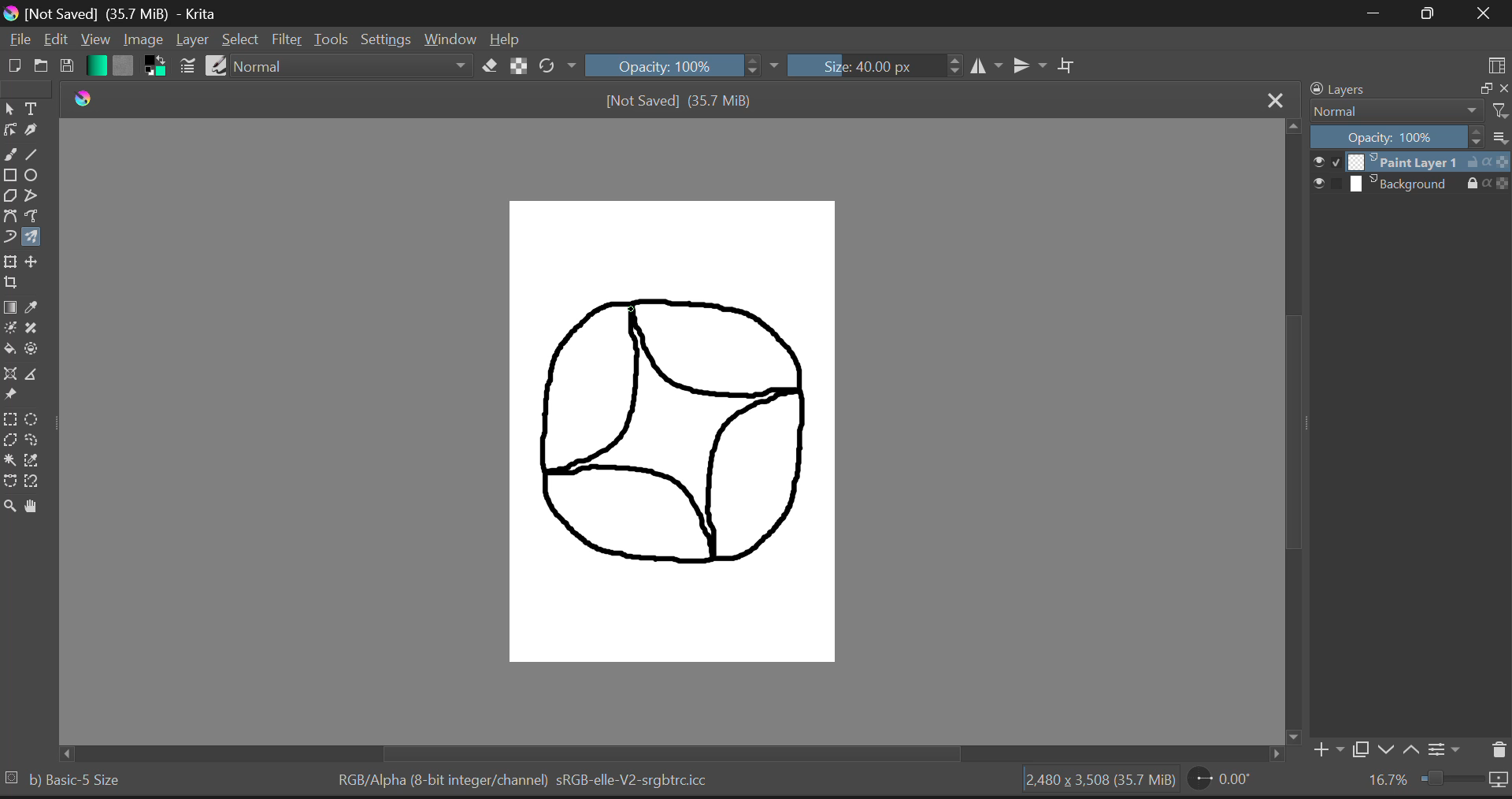  What do you see at coordinates (1388, 89) in the screenshot?
I see `Layers` at bounding box center [1388, 89].